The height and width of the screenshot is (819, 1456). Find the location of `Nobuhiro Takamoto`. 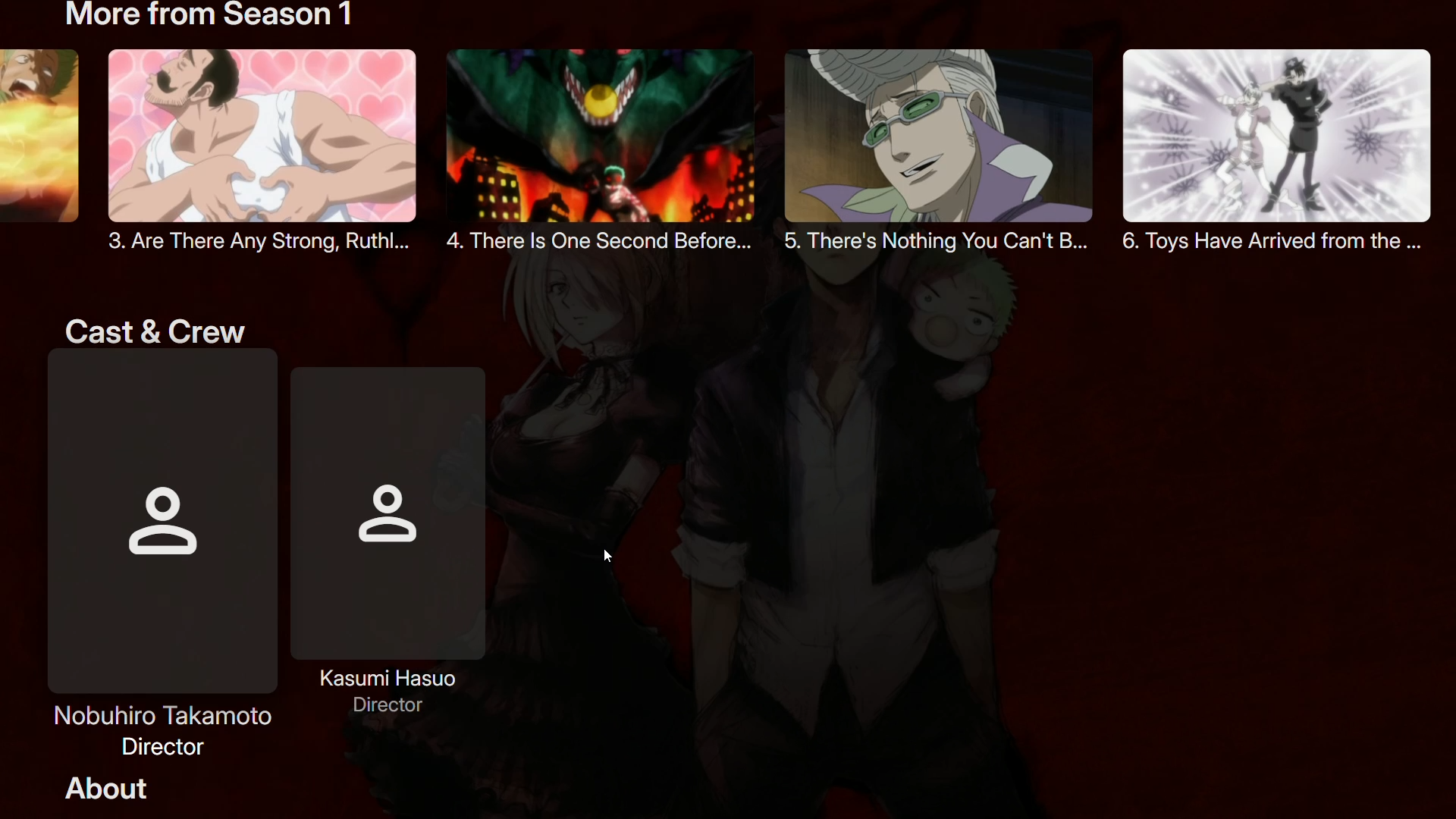

Nobuhiro Takamoto is located at coordinates (159, 557).